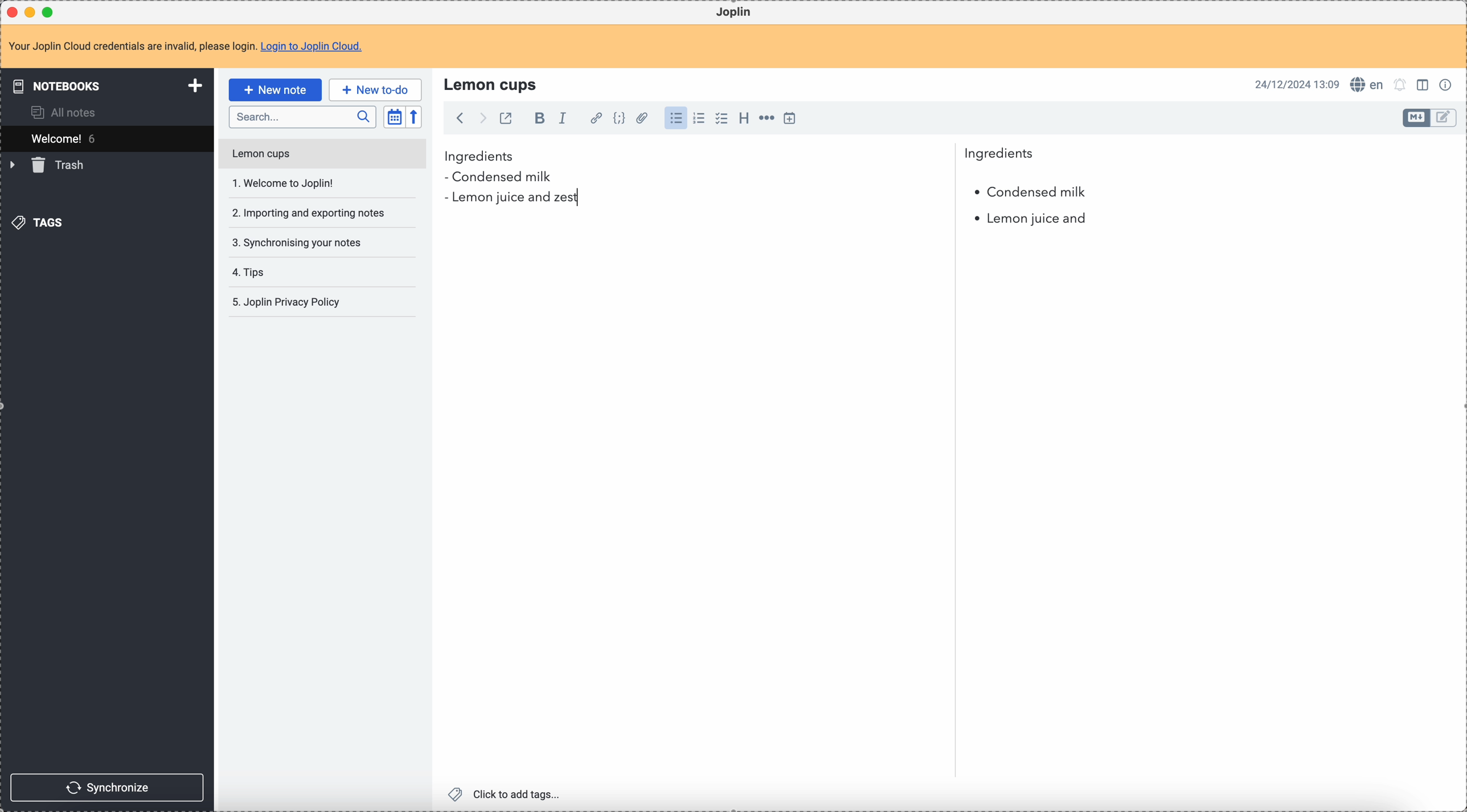 This screenshot has height=812, width=1467. What do you see at coordinates (789, 118) in the screenshot?
I see `insert time` at bounding box center [789, 118].